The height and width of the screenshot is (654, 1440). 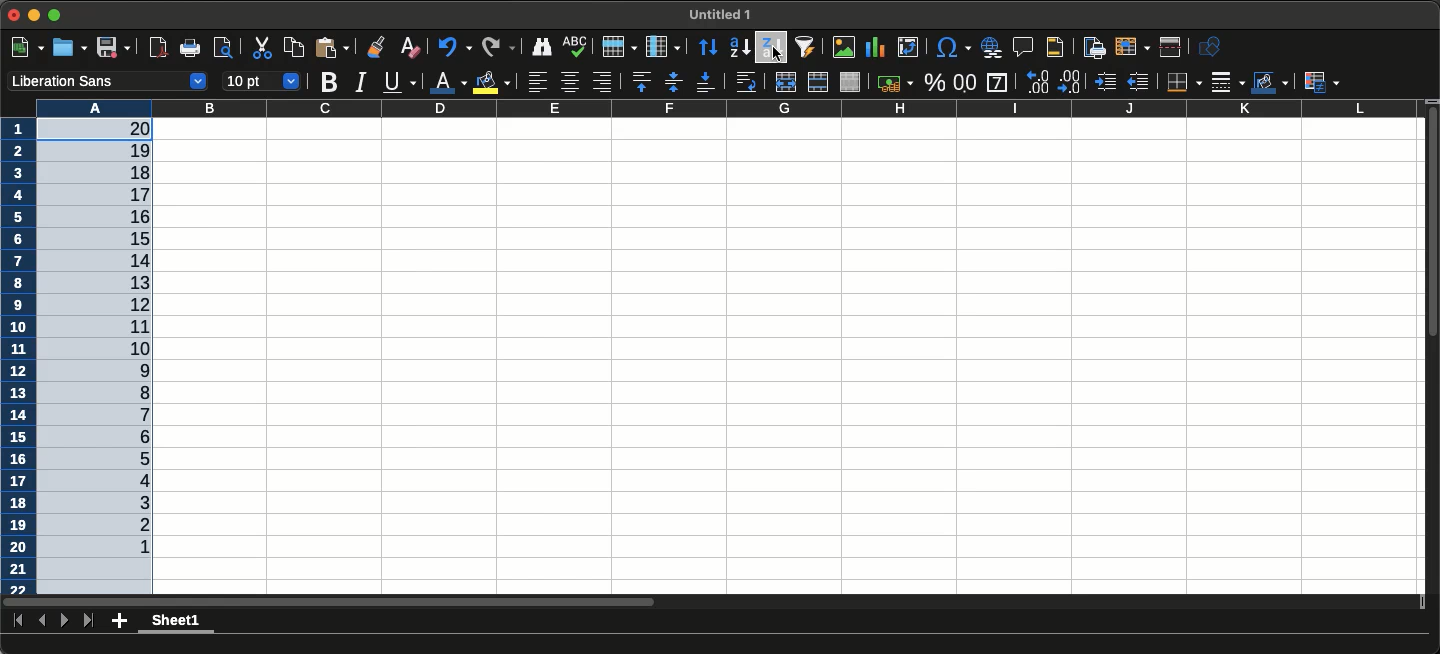 What do you see at coordinates (124, 481) in the screenshot?
I see `17` at bounding box center [124, 481].